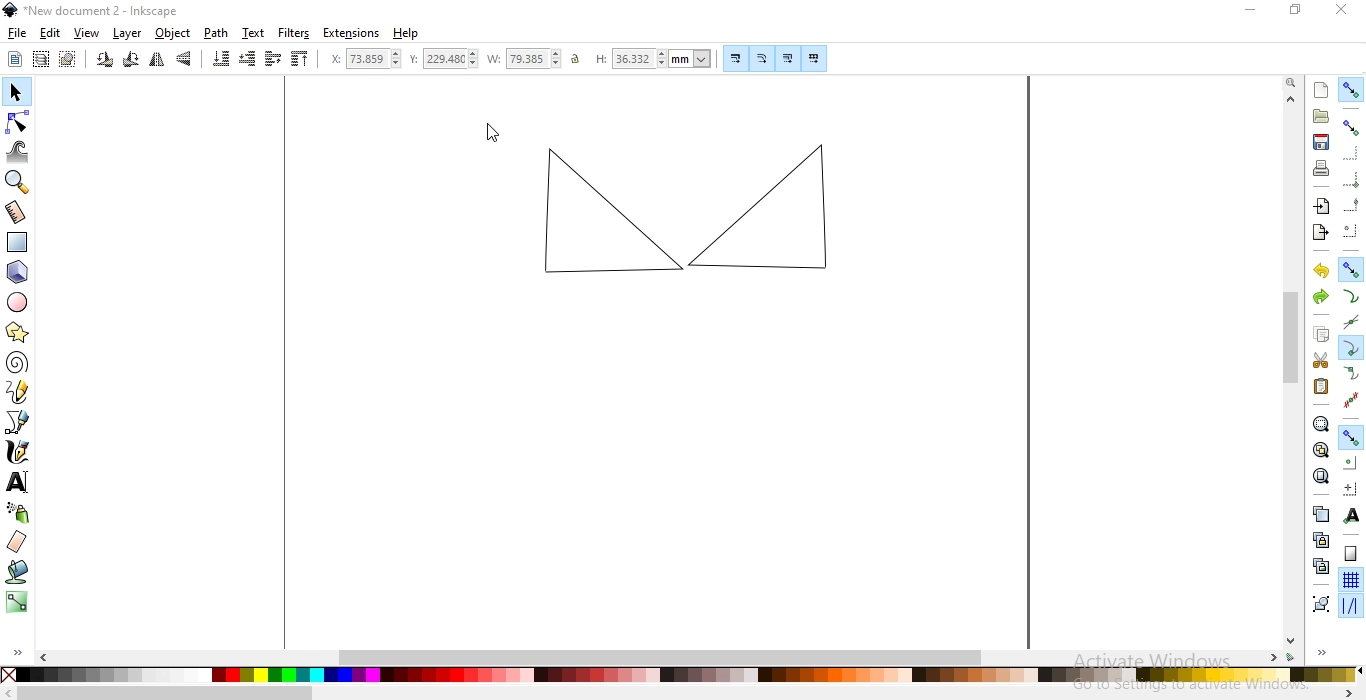  Describe the element at coordinates (1352, 346) in the screenshot. I see `snap cusp nodes incl rectangle corners` at that location.